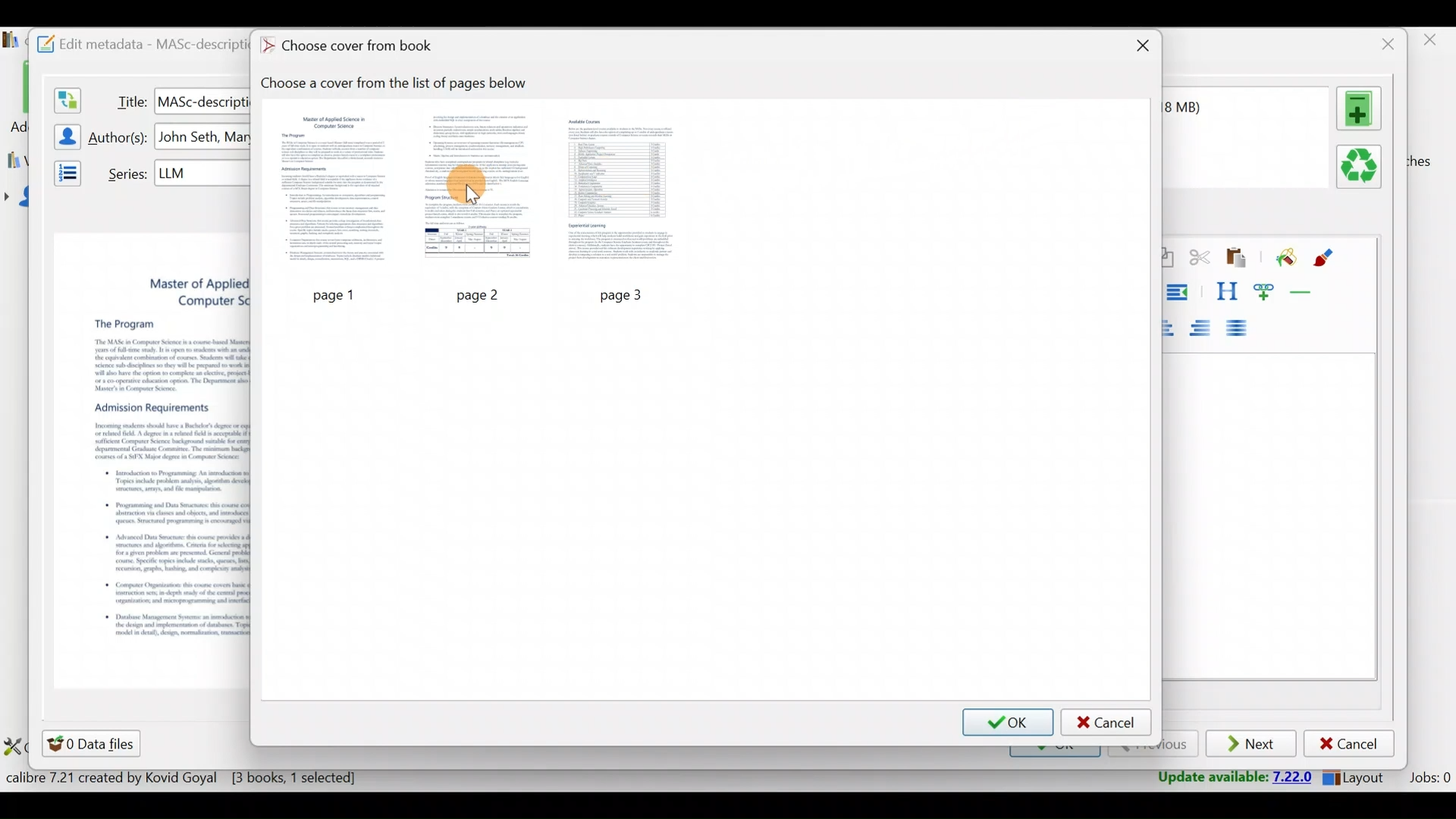 Image resolution: width=1456 pixels, height=819 pixels. Describe the element at coordinates (152, 438) in the screenshot. I see `cover preview` at that location.